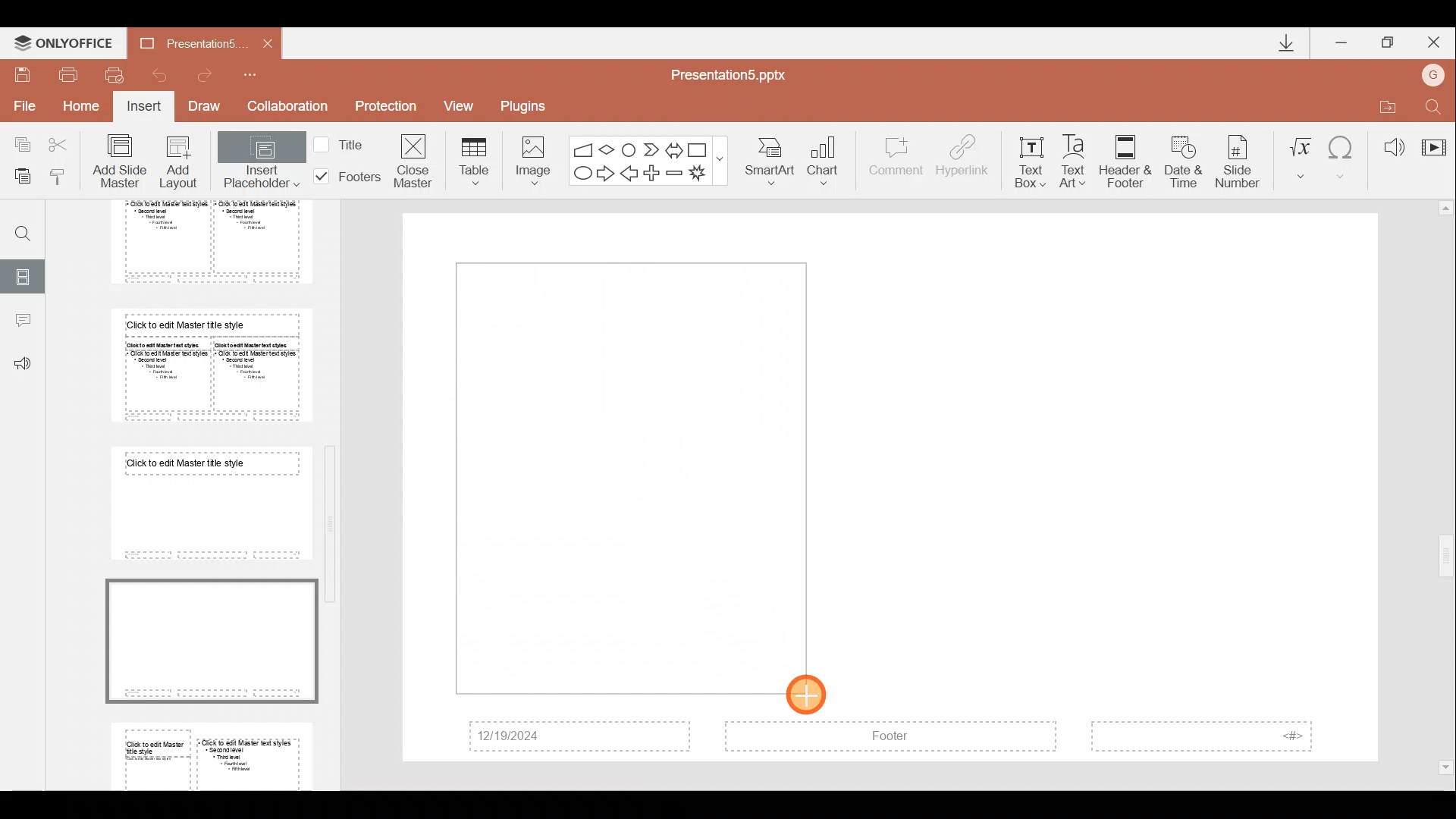 The width and height of the screenshot is (1456, 819). I want to click on Undo, so click(158, 74).